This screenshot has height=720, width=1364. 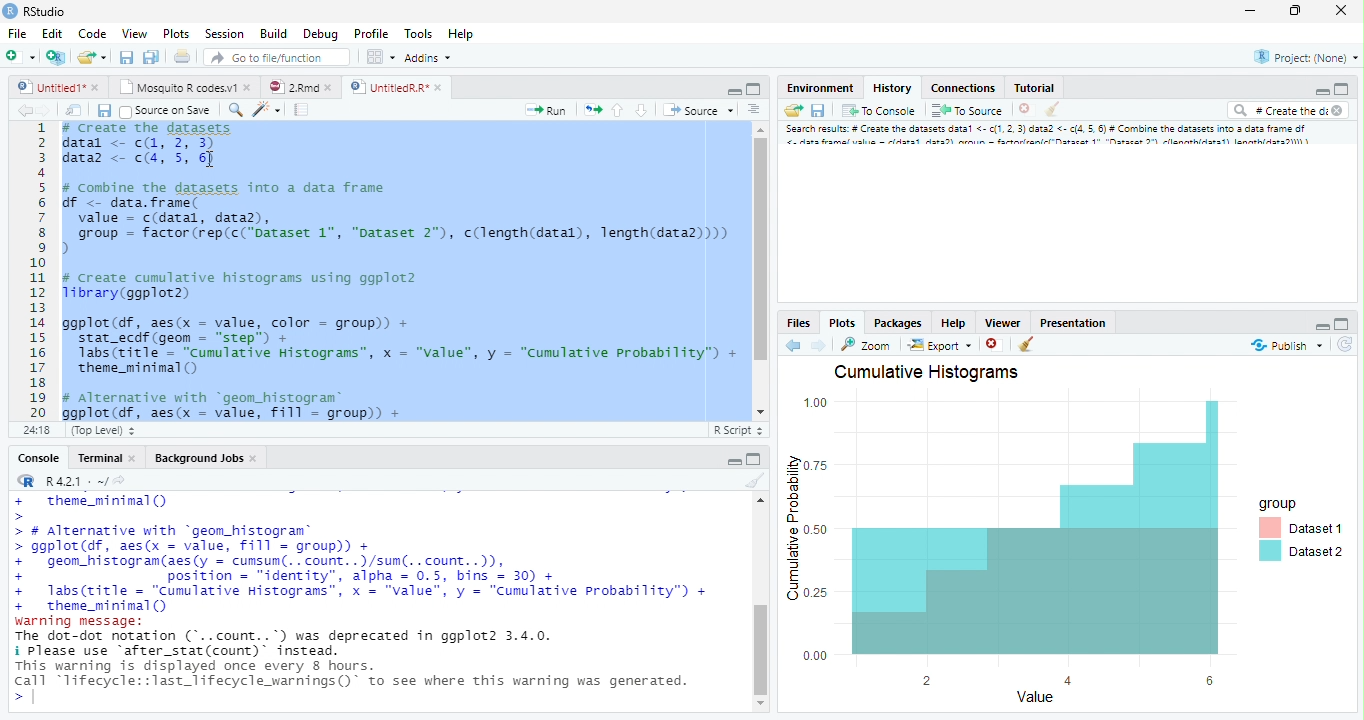 I want to click on Pages, so click(x=593, y=112).